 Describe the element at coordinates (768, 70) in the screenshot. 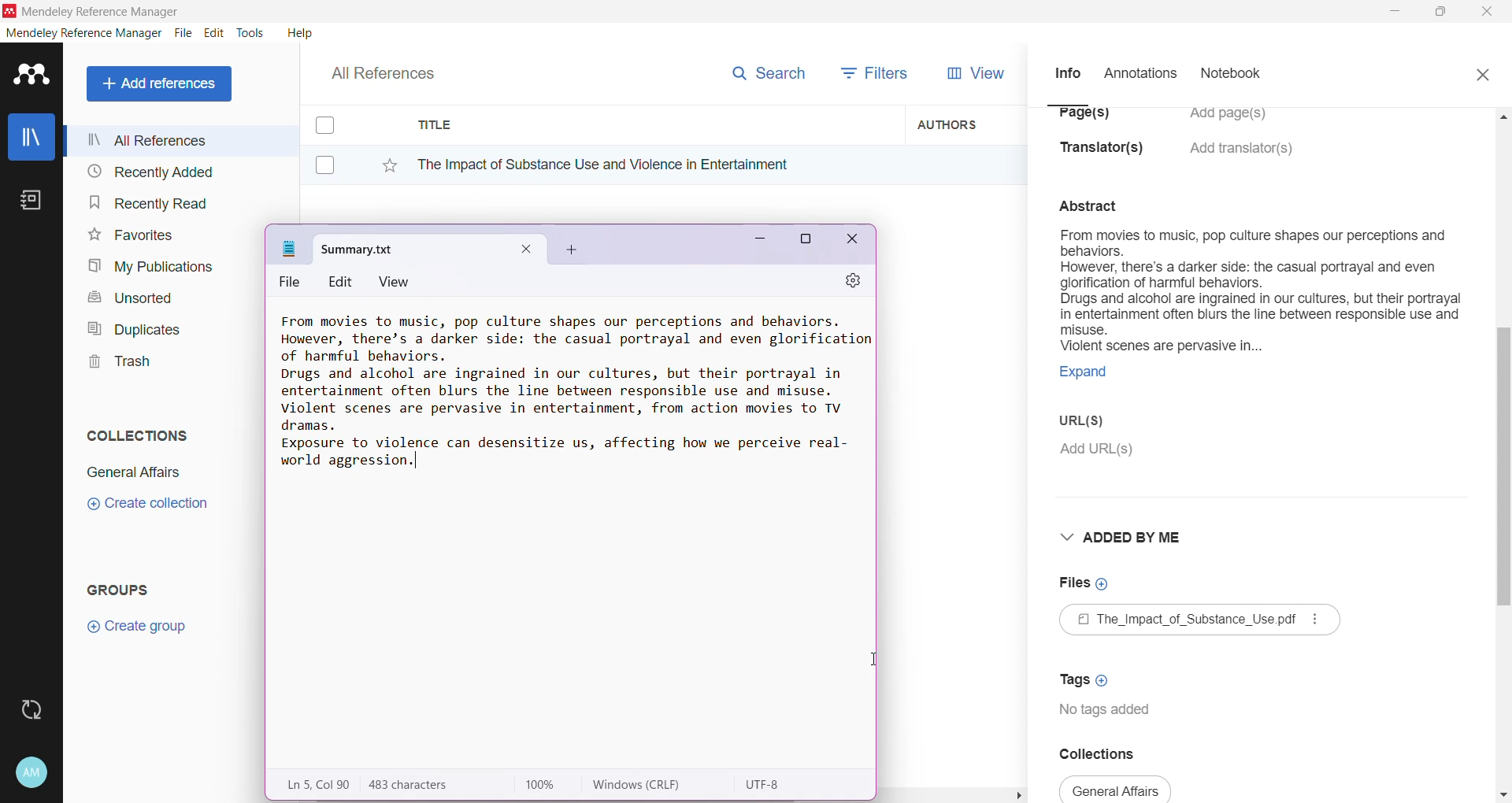

I see `Search` at that location.